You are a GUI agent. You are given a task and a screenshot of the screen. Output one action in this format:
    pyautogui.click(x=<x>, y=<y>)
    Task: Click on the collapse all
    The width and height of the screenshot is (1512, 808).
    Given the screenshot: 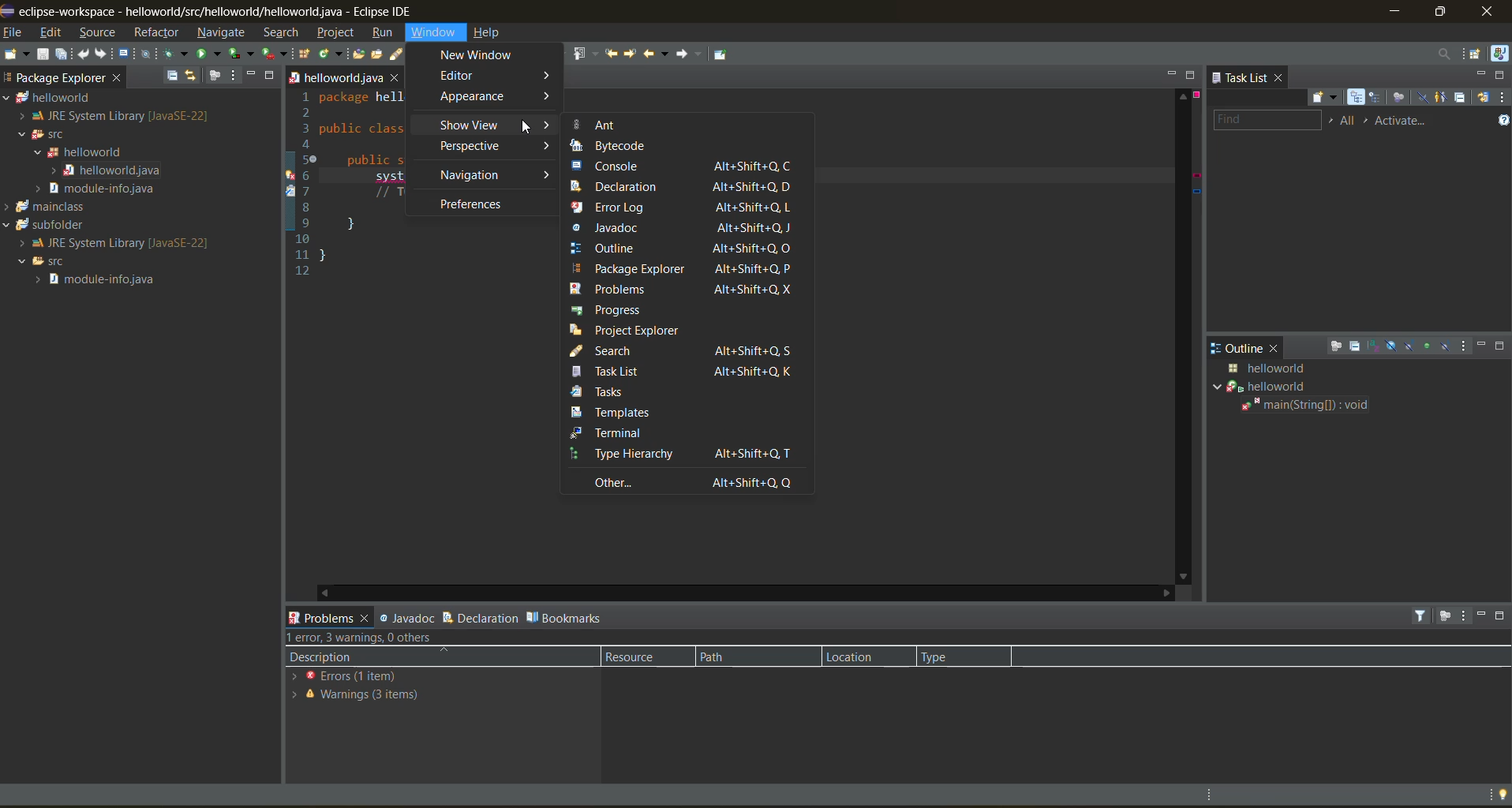 What is the action you would take?
    pyautogui.click(x=172, y=77)
    